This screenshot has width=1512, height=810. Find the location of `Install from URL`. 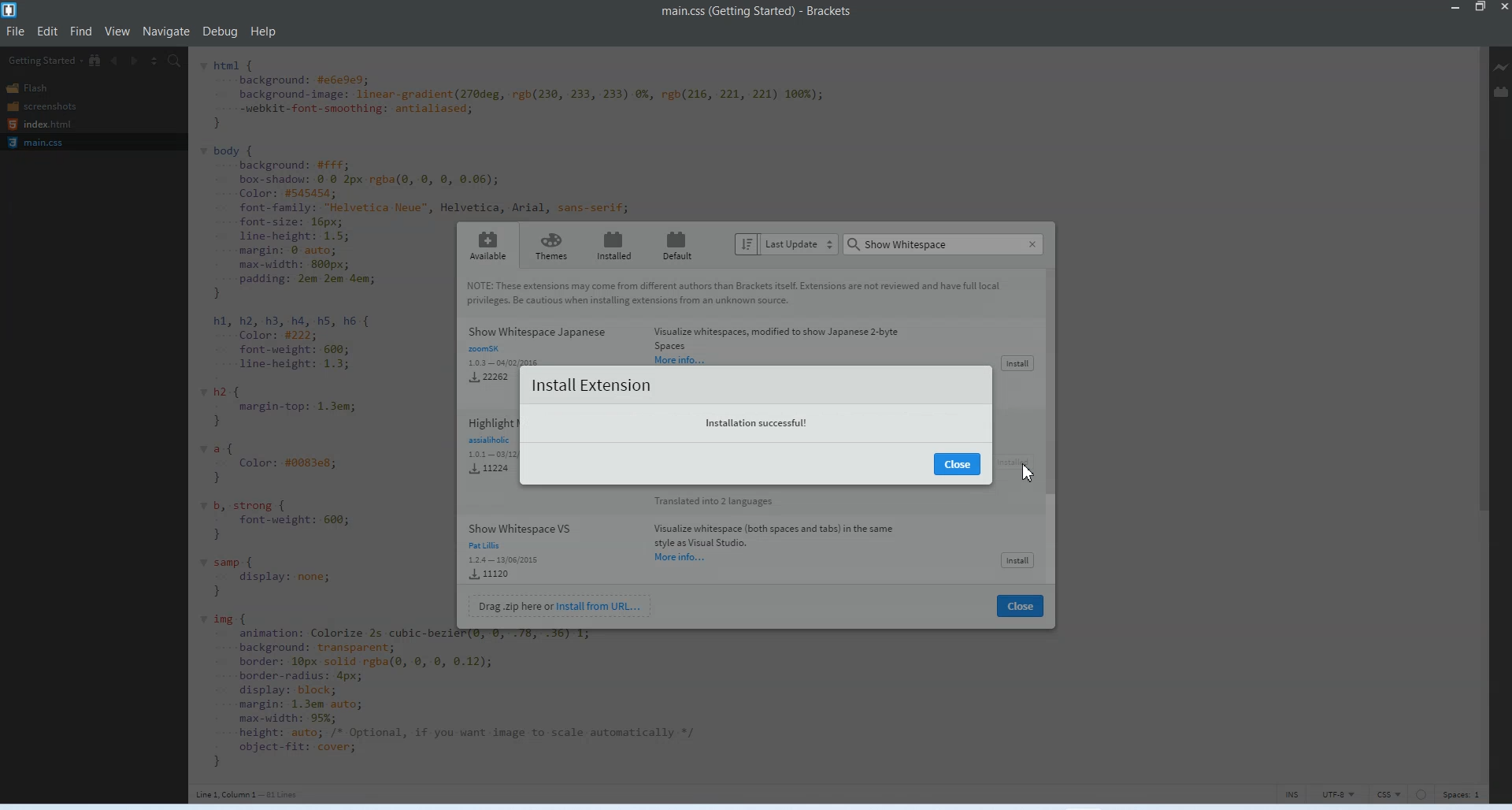

Install from URL is located at coordinates (563, 605).